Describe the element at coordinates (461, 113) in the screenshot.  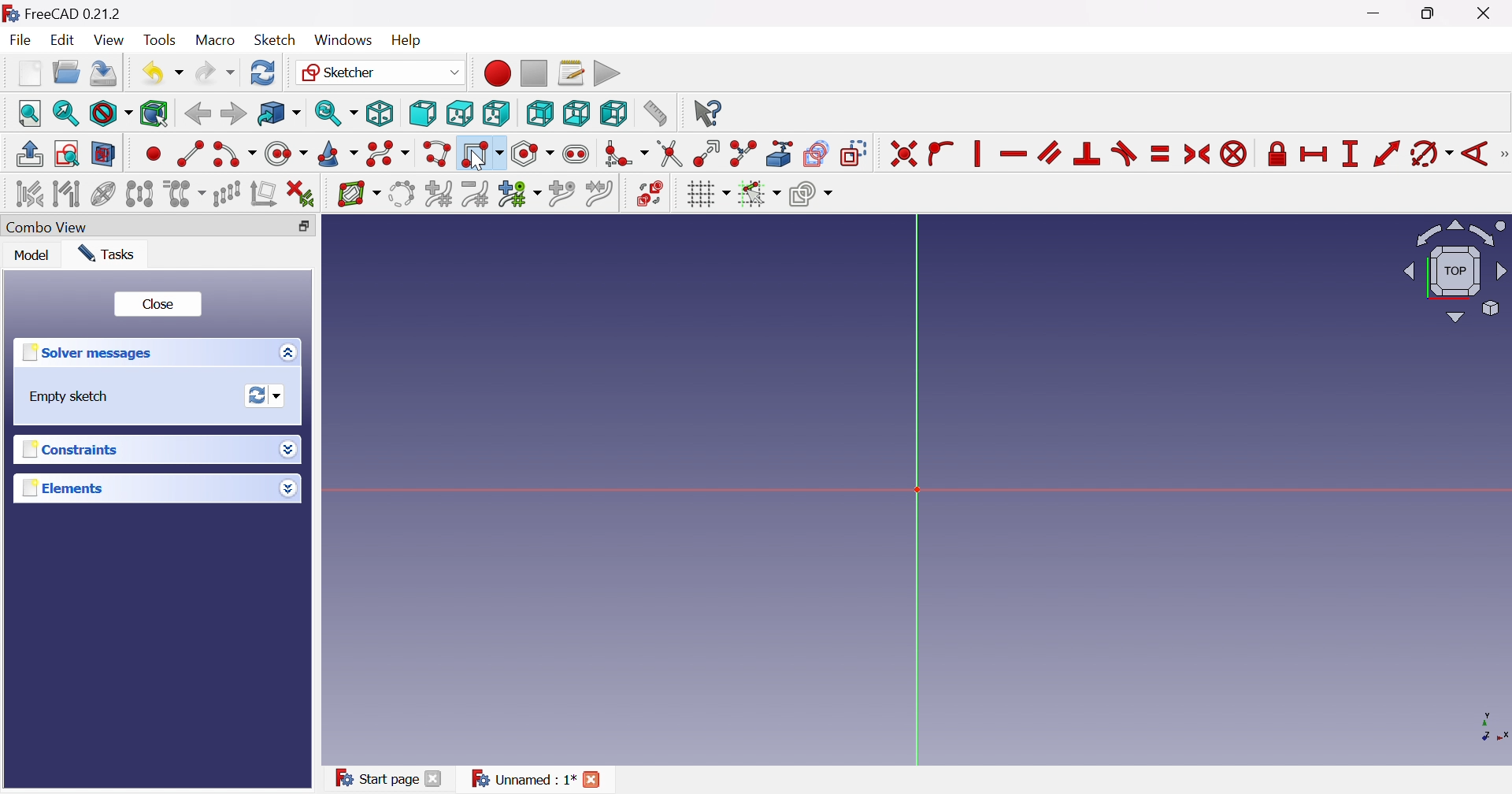
I see `Top` at that location.